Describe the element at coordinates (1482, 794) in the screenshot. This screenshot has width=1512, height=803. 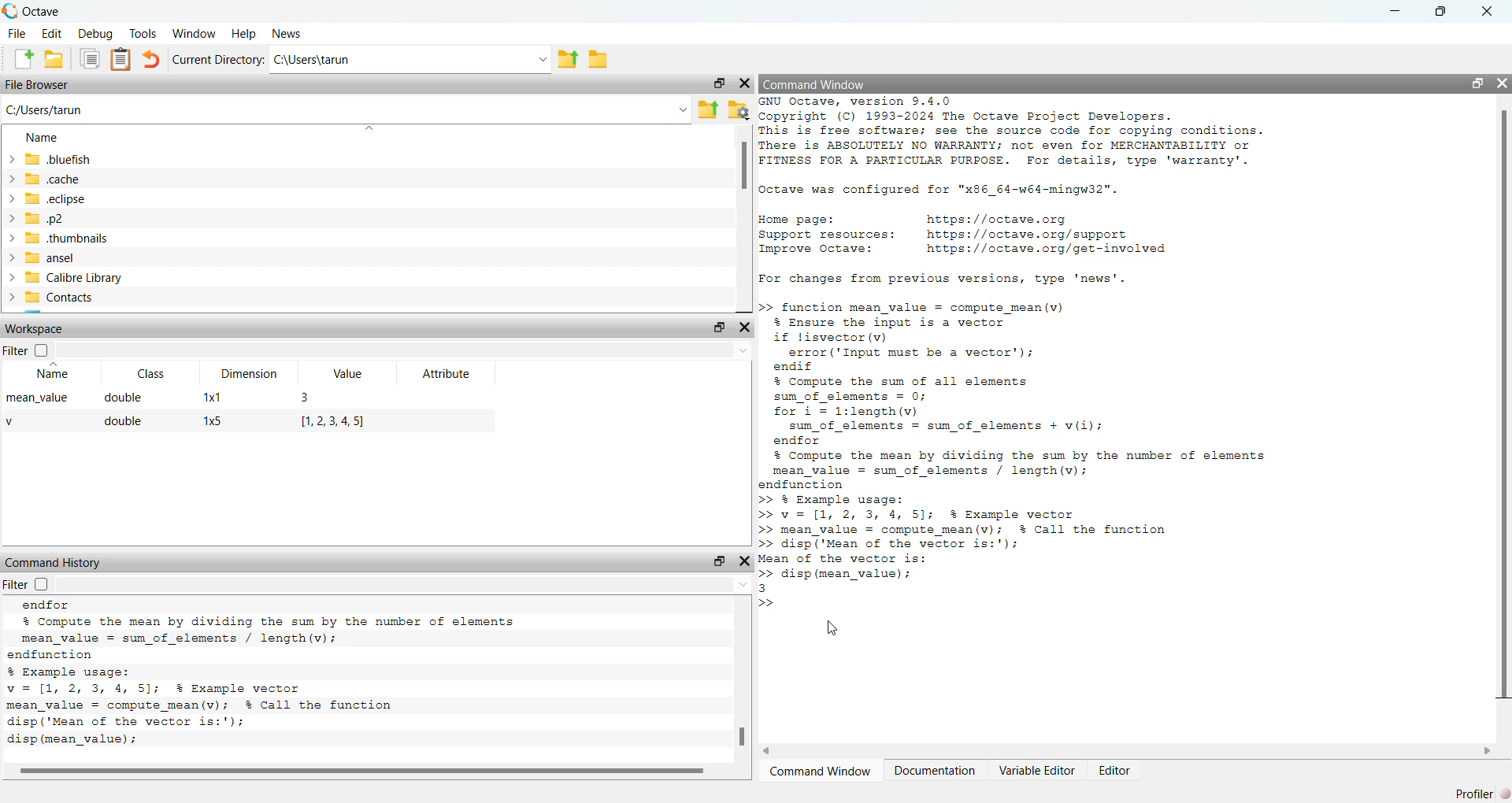
I see `Profiler` at that location.